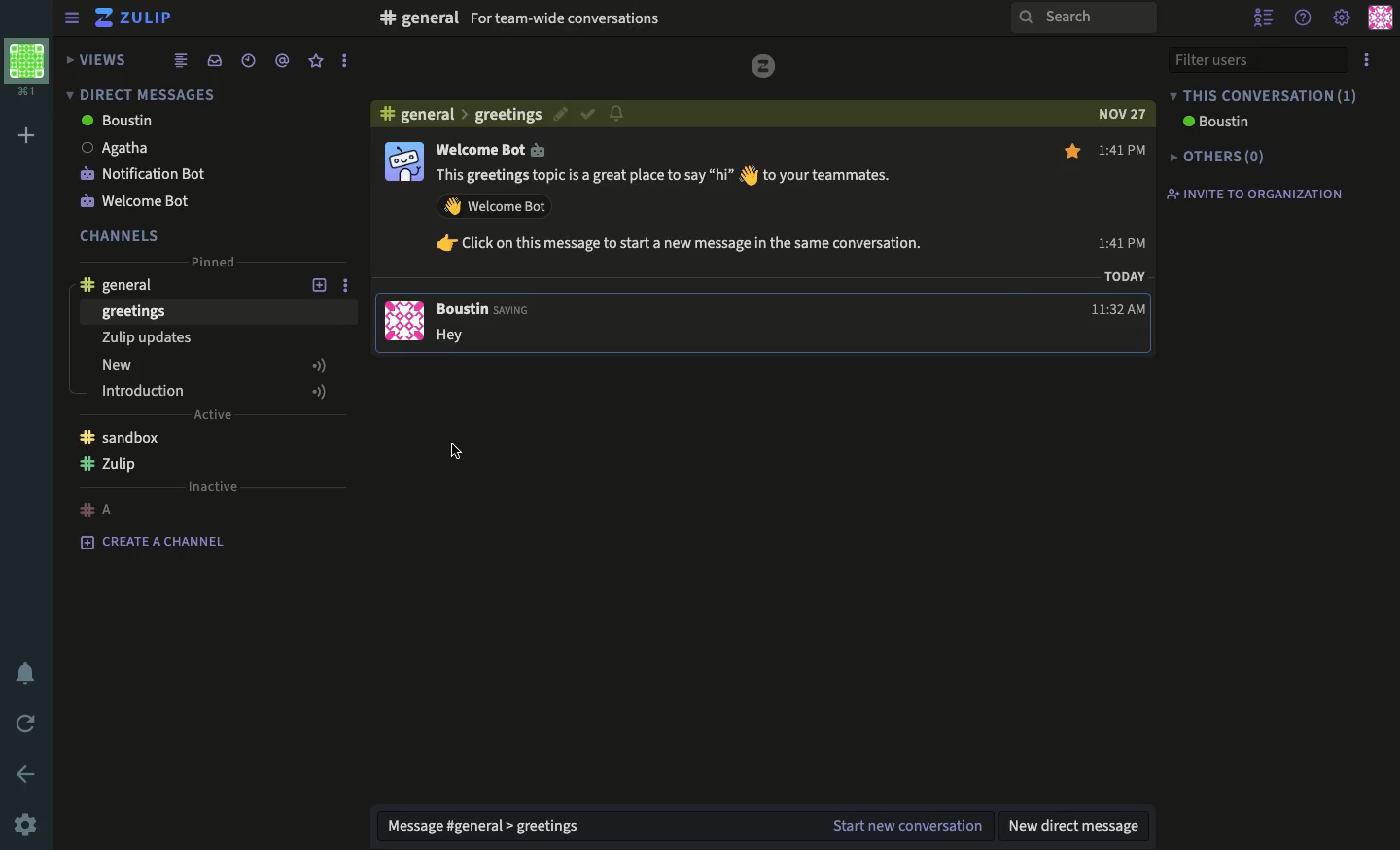  What do you see at coordinates (1120, 310) in the screenshot?
I see `1:41 PM` at bounding box center [1120, 310].